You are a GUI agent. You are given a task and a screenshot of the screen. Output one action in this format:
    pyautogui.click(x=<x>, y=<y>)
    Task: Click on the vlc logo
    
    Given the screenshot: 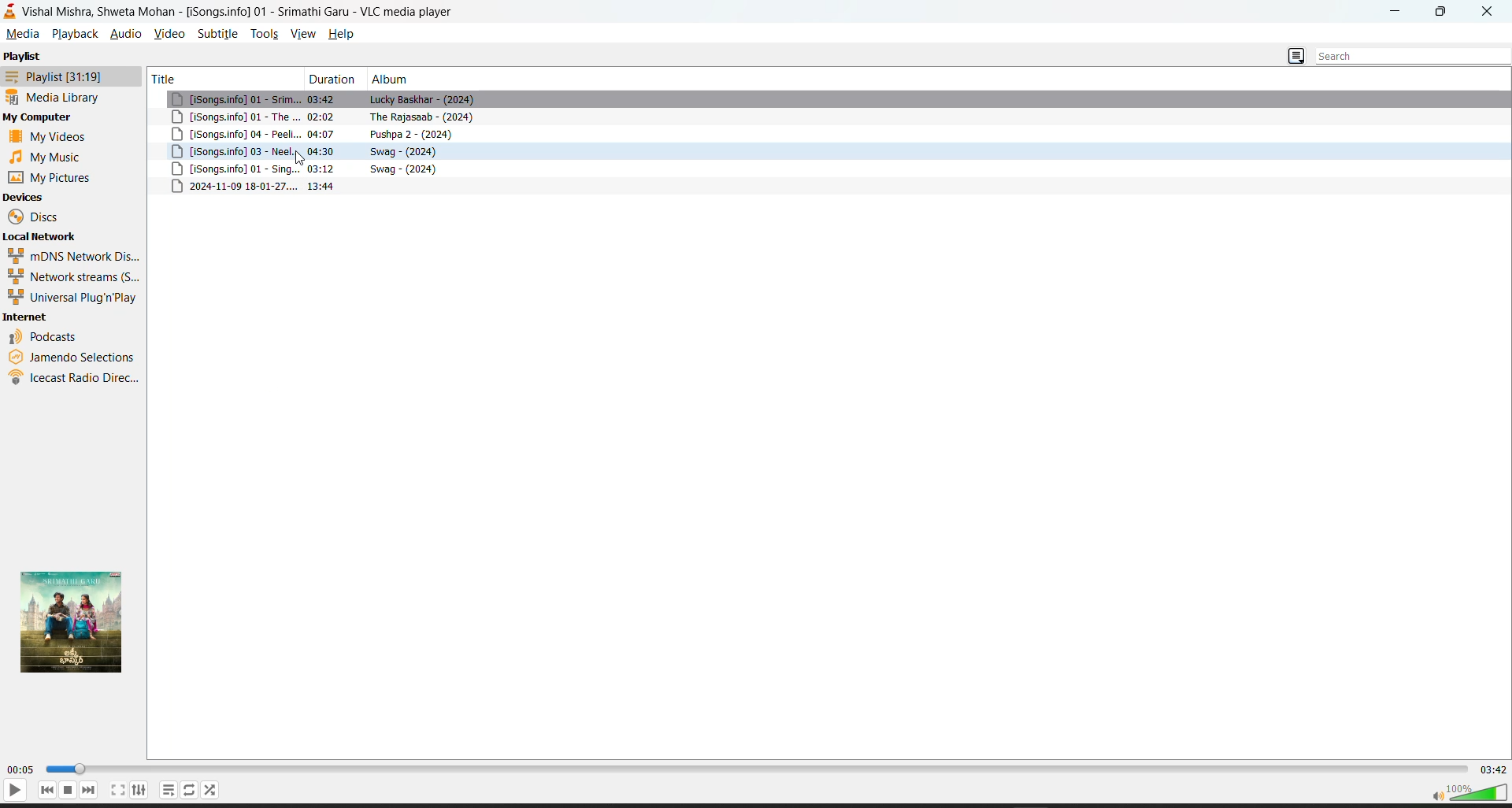 What is the action you would take?
    pyautogui.click(x=13, y=12)
    